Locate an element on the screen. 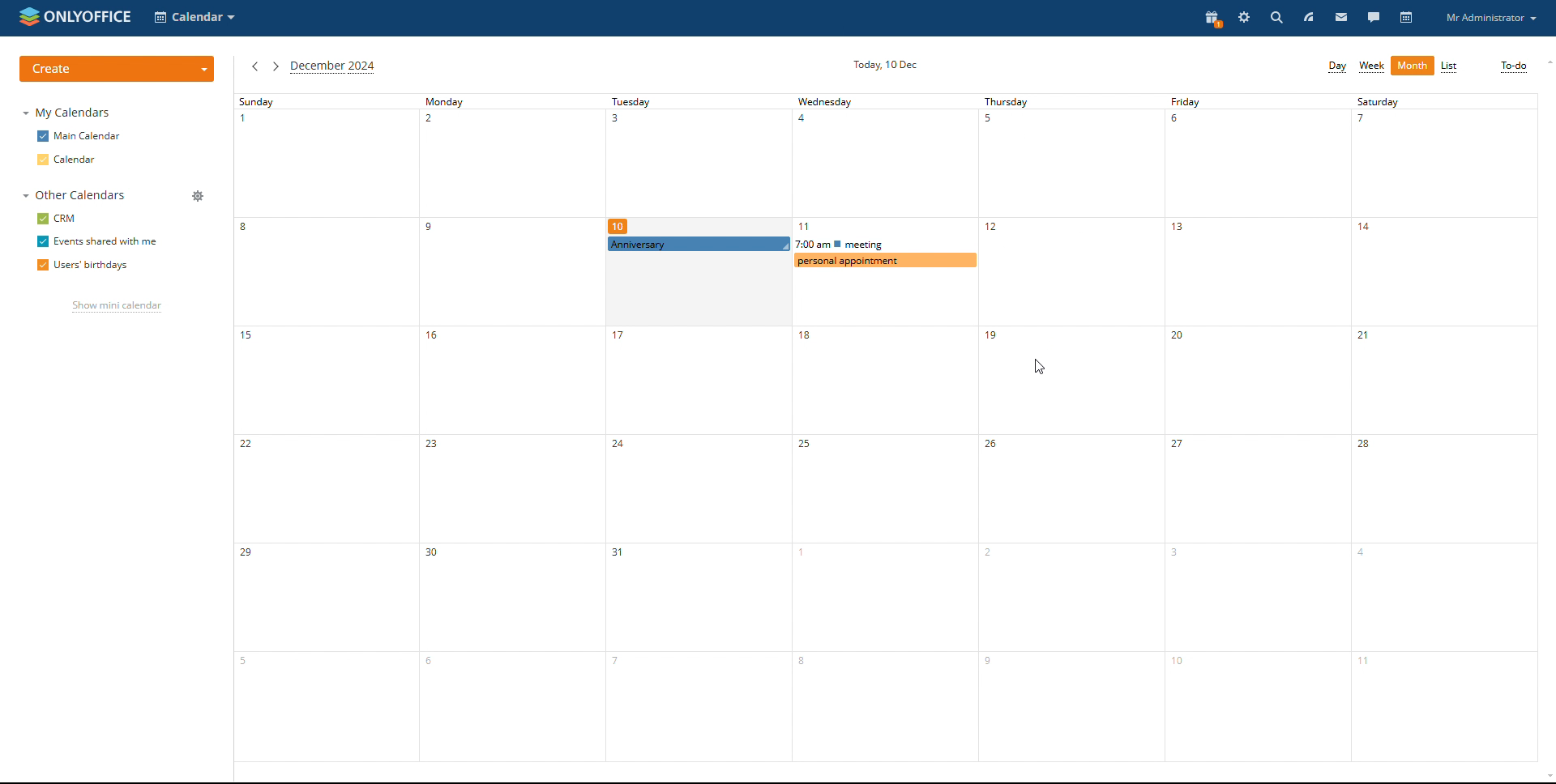  wednesday is located at coordinates (883, 428).